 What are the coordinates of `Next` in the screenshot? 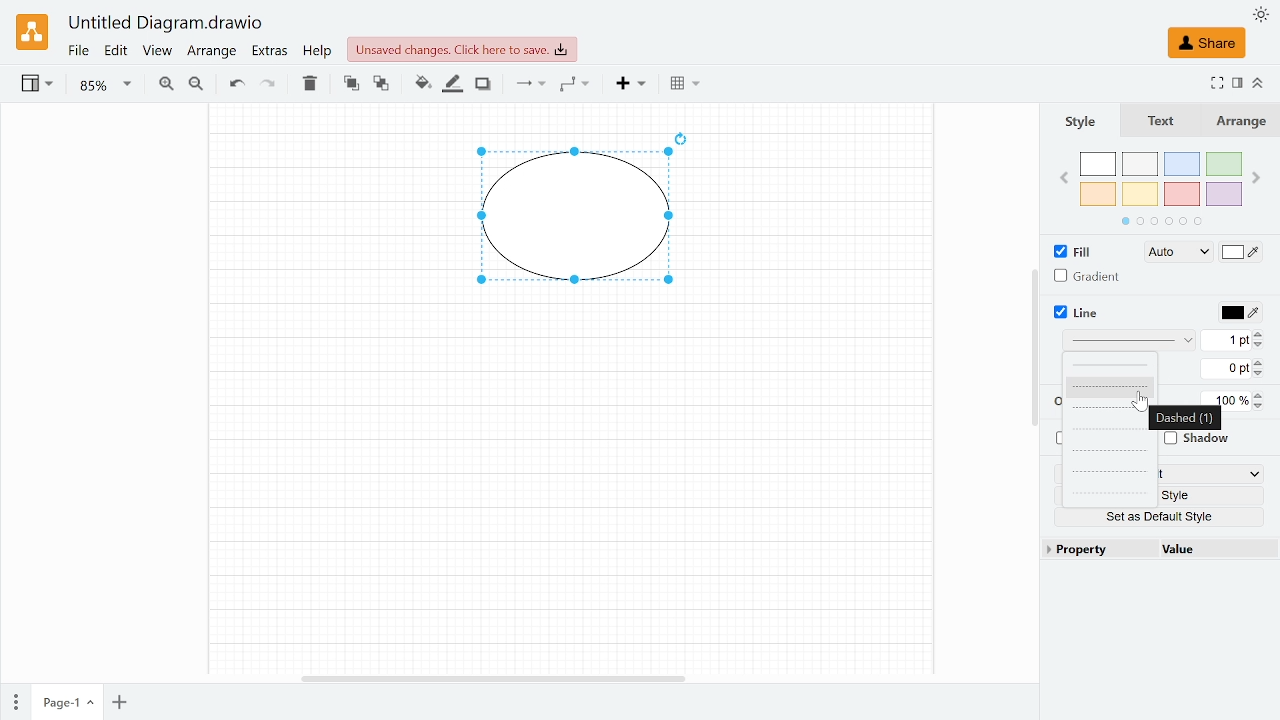 It's located at (1256, 176).